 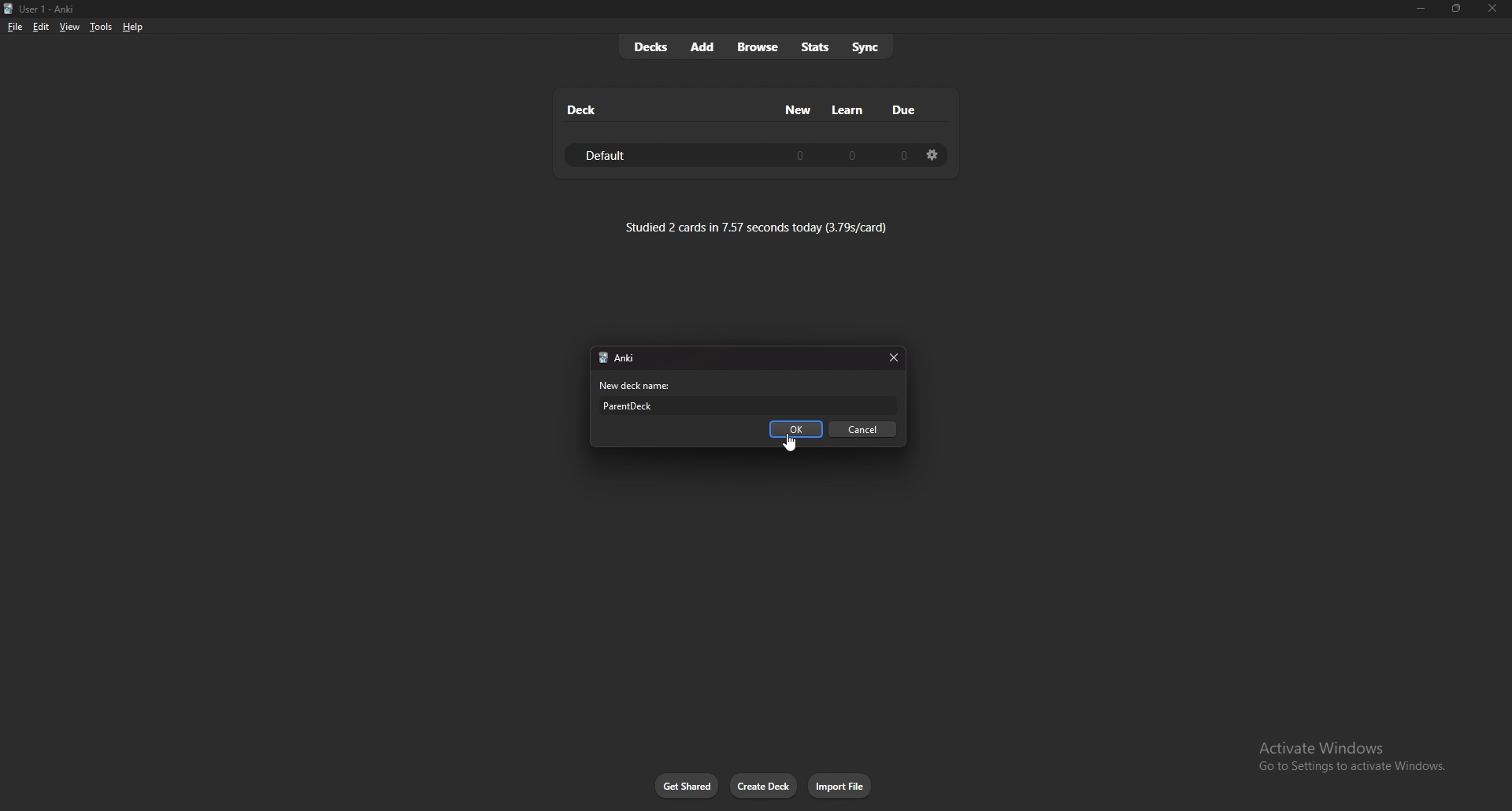 I want to click on browse, so click(x=760, y=48).